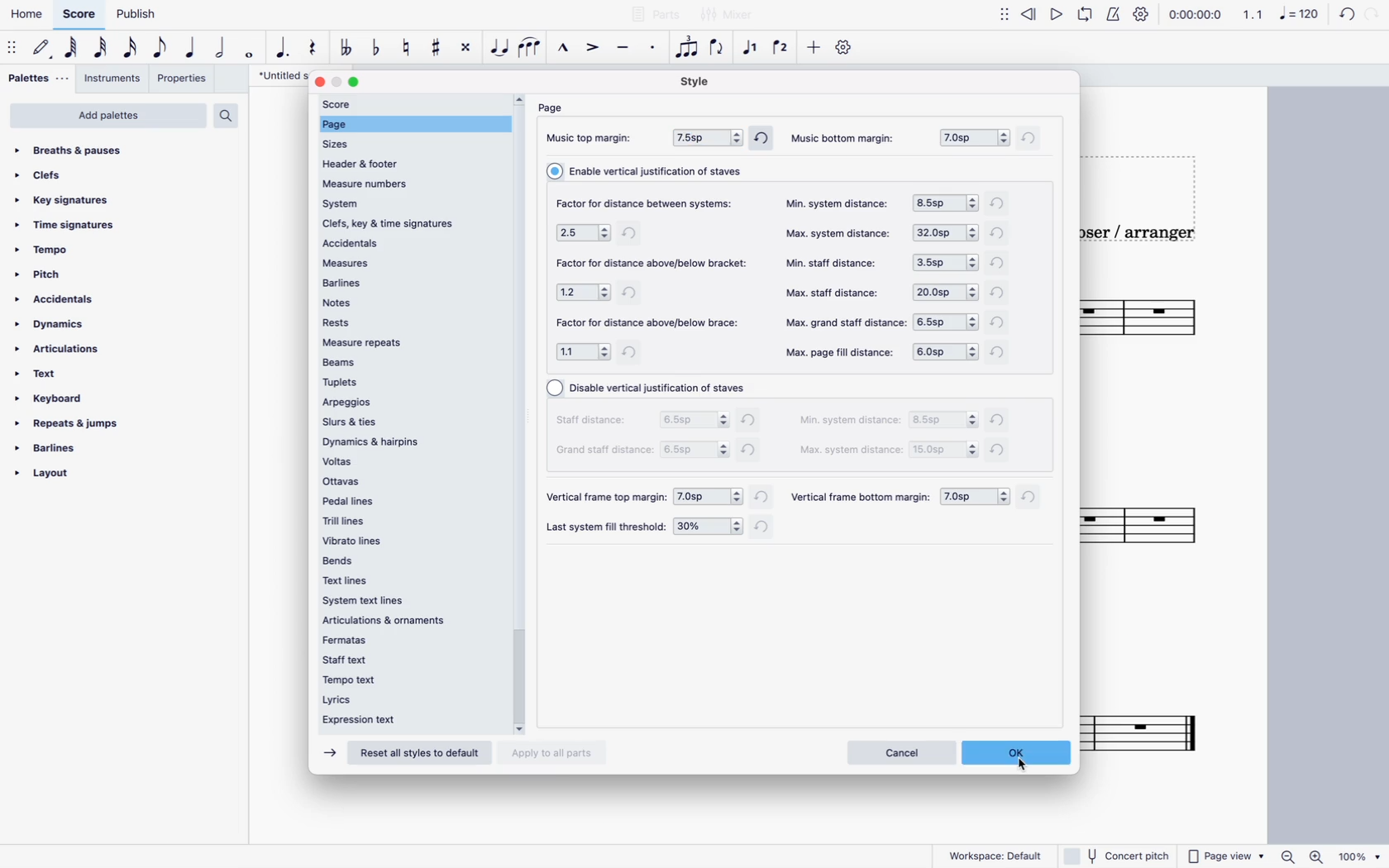 The width and height of the screenshot is (1389, 868). Describe the element at coordinates (396, 698) in the screenshot. I see `lyrics` at that location.